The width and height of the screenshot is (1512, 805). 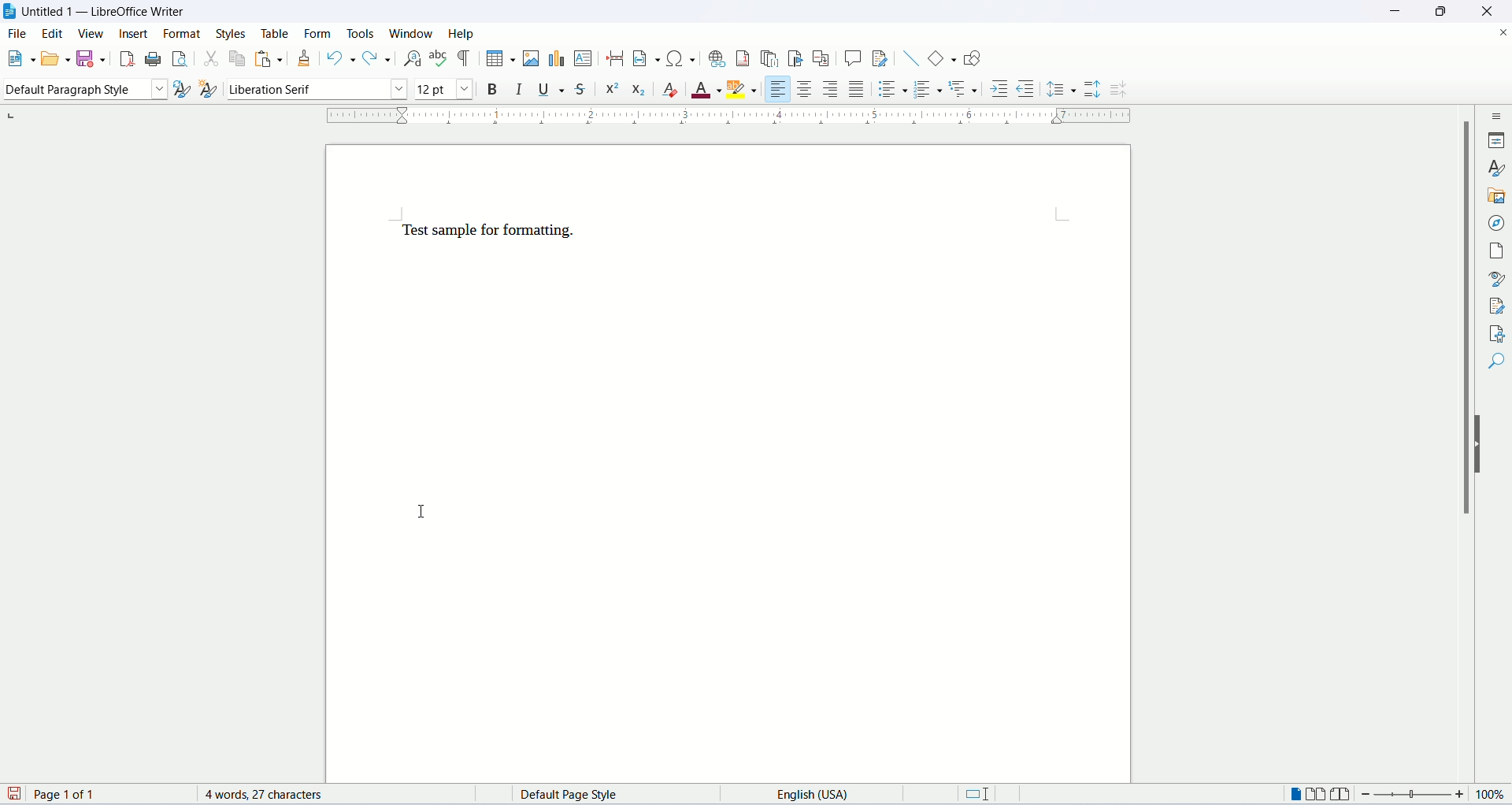 What do you see at coordinates (209, 57) in the screenshot?
I see `cut` at bounding box center [209, 57].